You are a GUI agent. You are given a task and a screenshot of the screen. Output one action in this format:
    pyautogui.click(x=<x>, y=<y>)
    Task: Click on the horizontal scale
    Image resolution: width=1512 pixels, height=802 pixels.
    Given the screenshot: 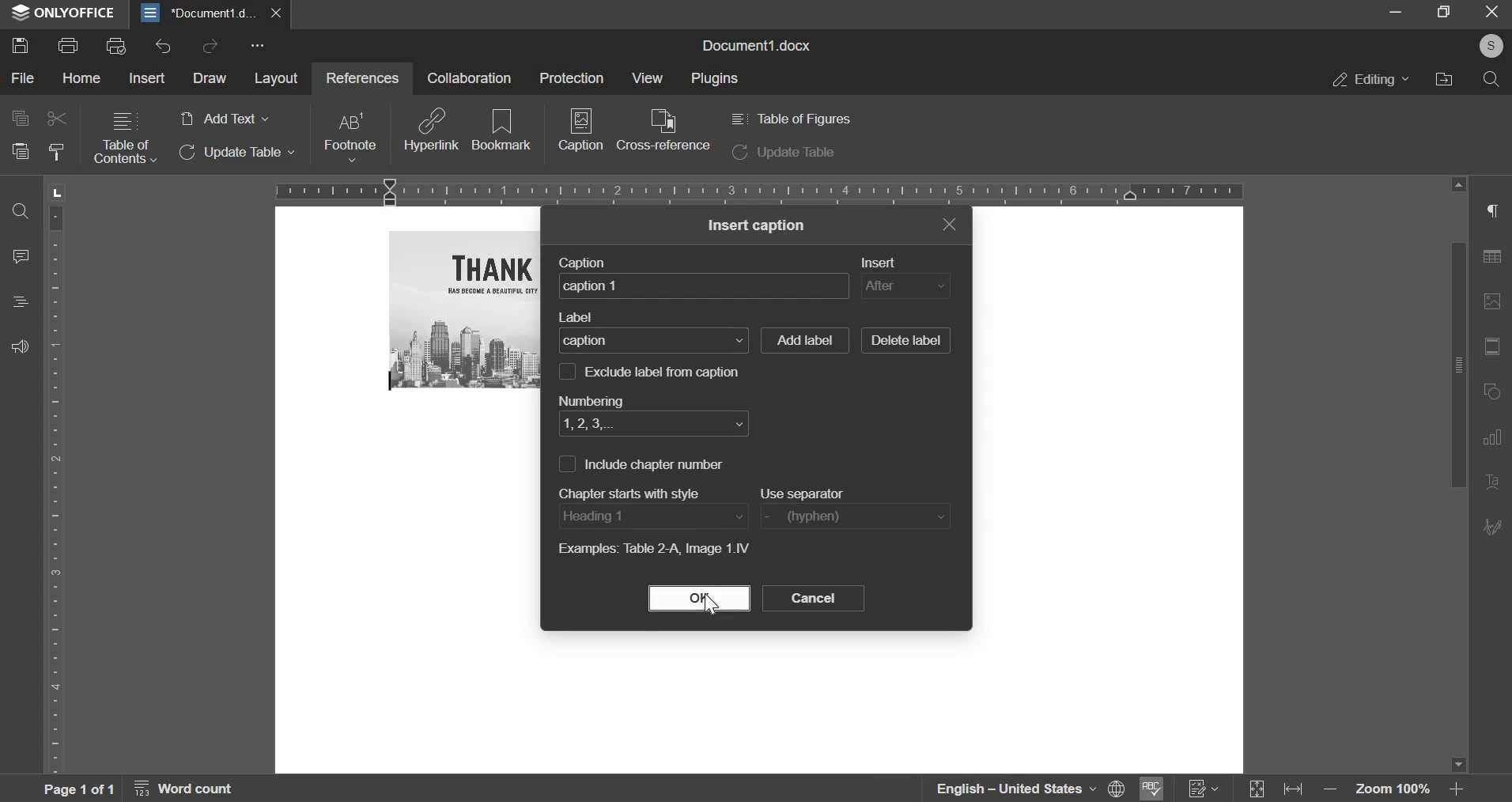 What is the action you would take?
    pyautogui.click(x=759, y=190)
    